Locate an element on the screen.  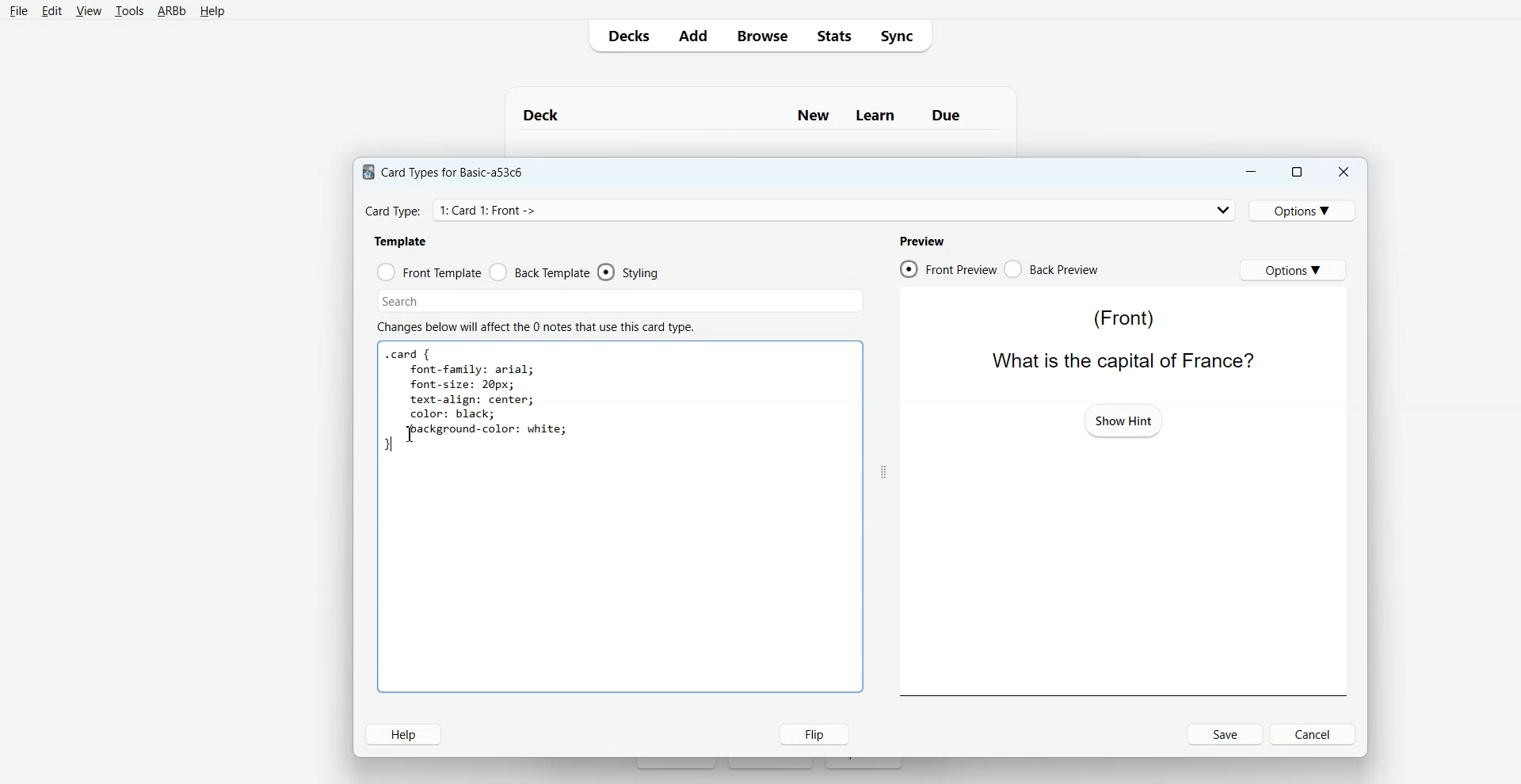
Edit is located at coordinates (52, 11).